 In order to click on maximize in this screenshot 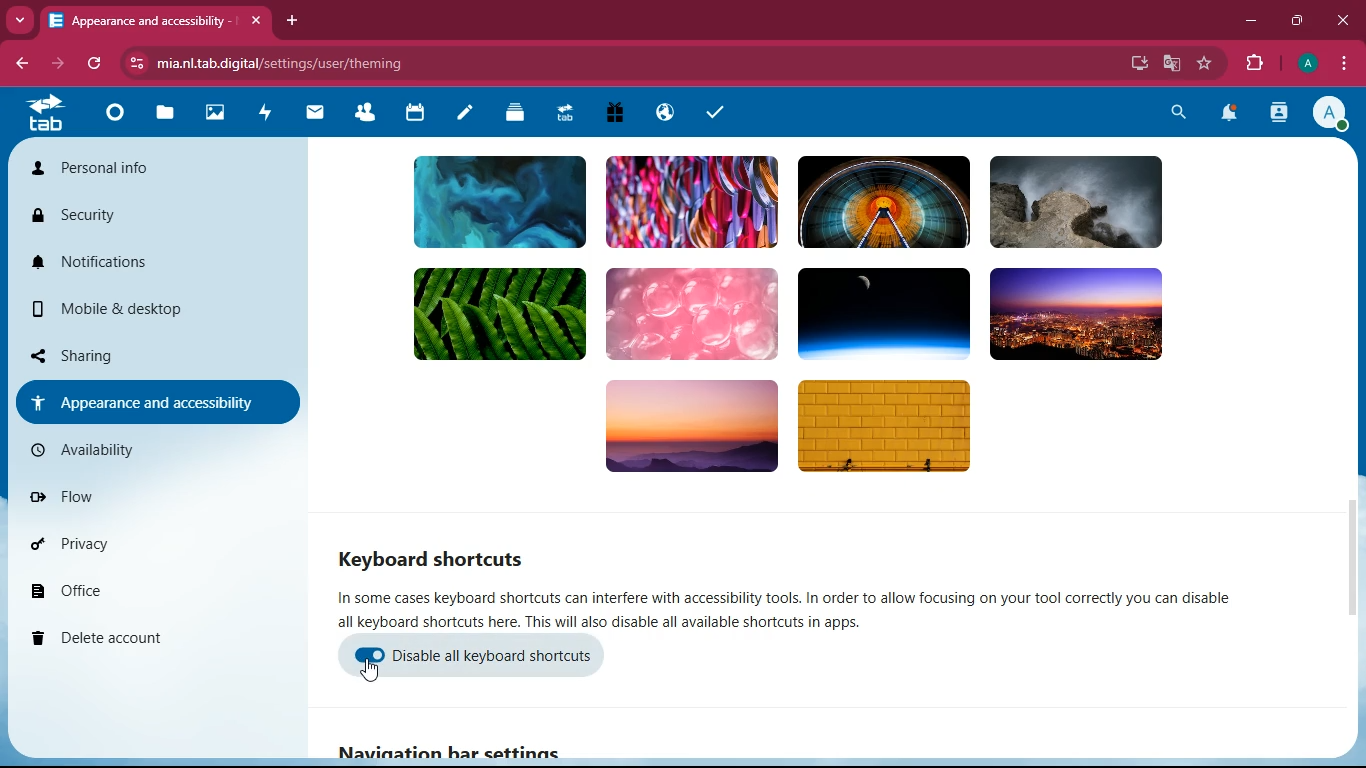, I will do `click(1297, 22)`.